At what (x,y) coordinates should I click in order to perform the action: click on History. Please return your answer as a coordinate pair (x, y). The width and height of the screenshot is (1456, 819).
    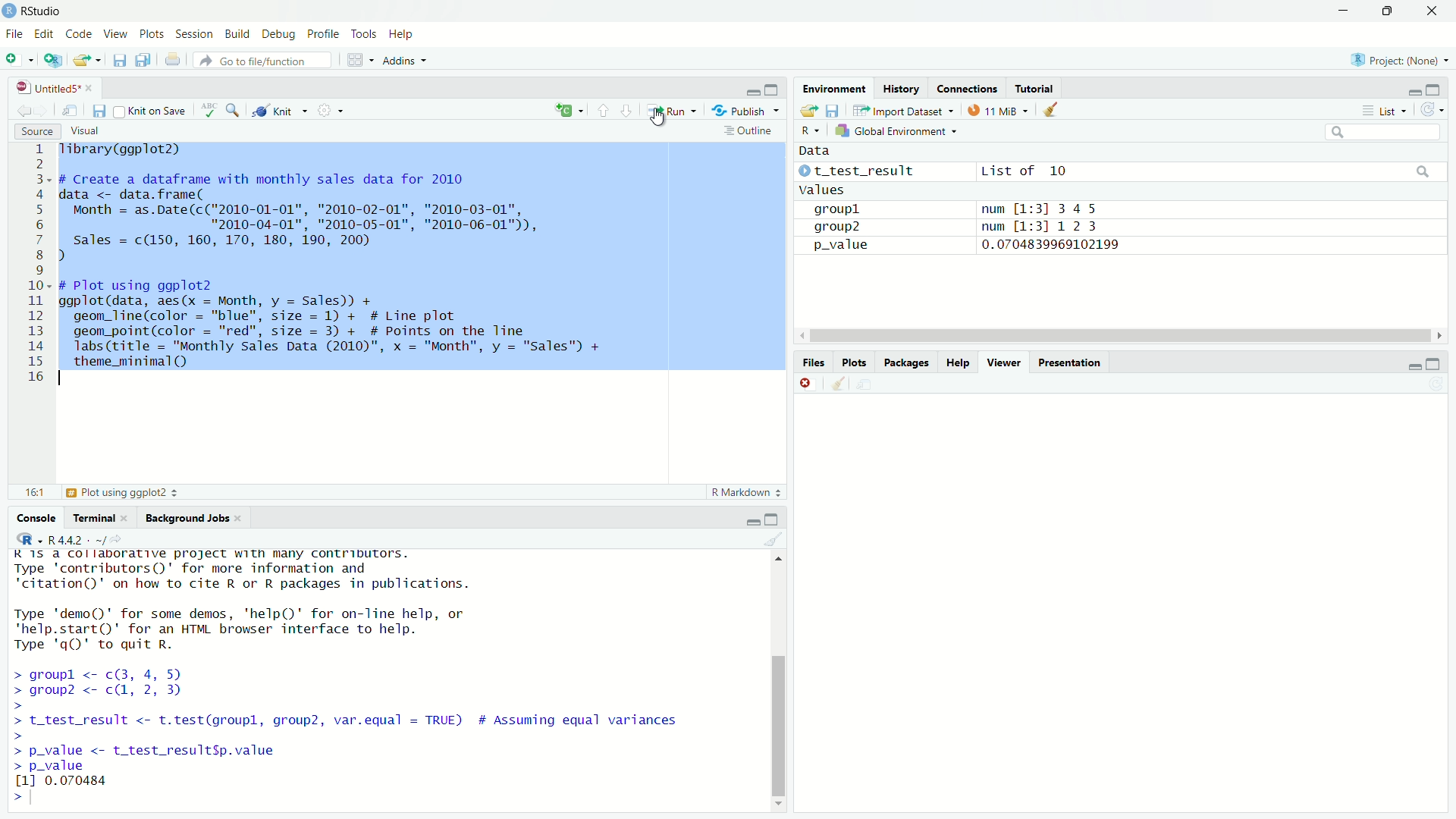
    Looking at the image, I should click on (902, 87).